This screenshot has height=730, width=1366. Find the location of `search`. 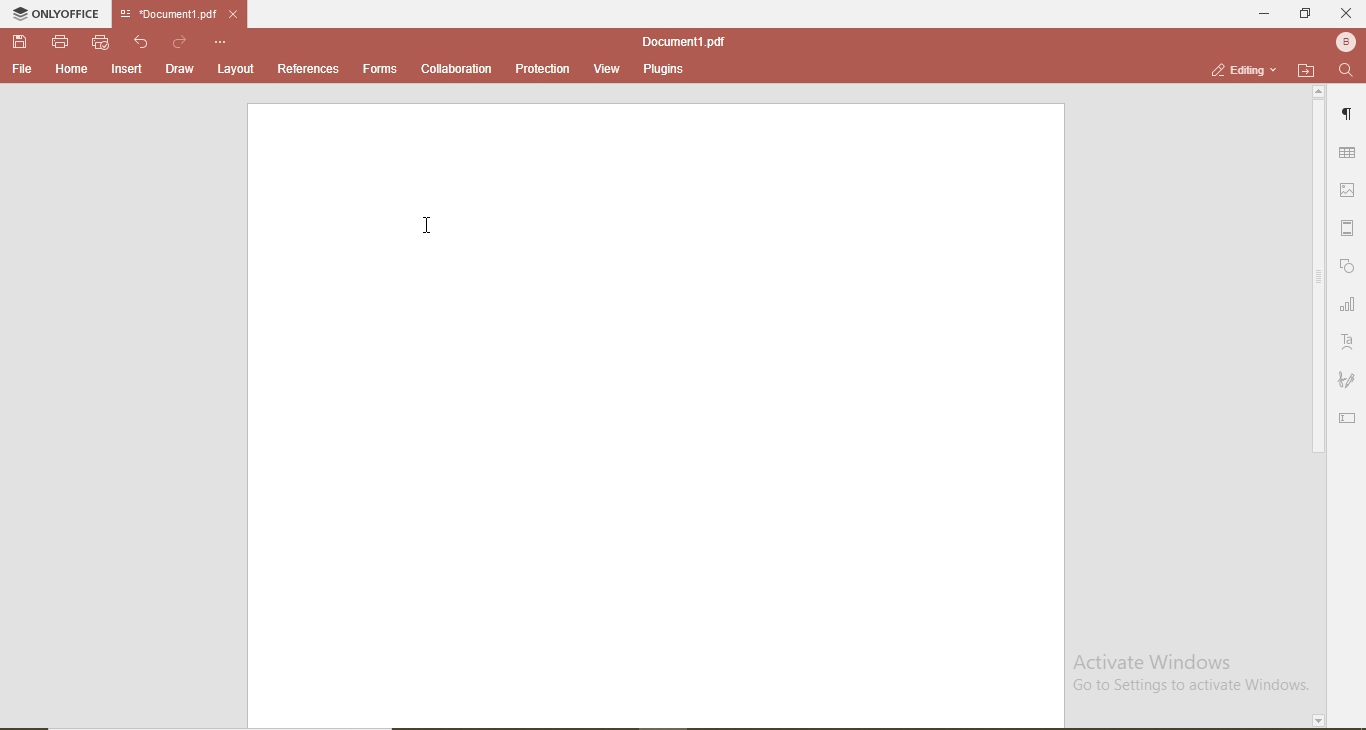

search is located at coordinates (1349, 73).